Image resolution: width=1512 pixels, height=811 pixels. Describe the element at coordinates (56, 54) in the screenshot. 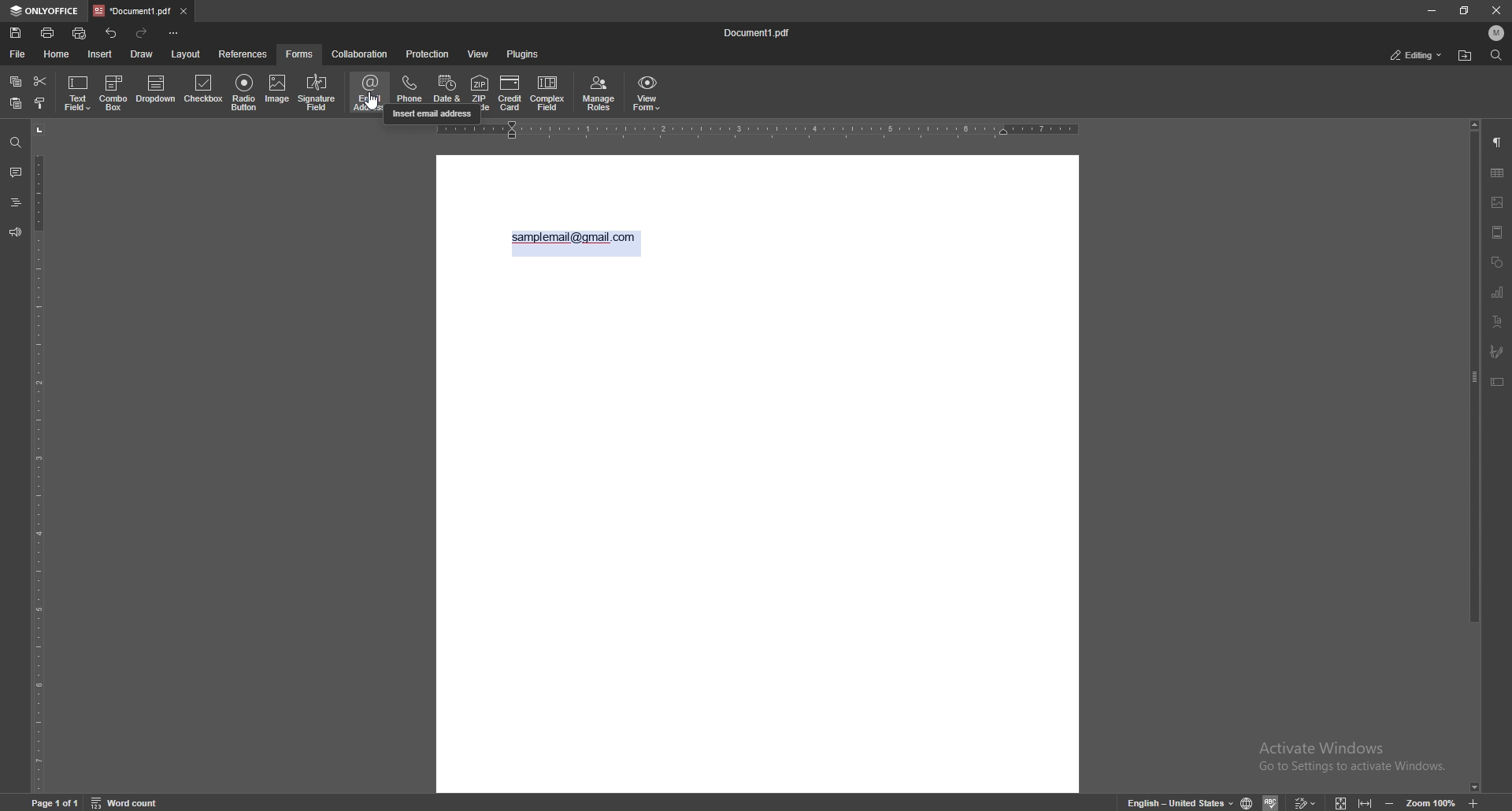

I see `home` at that location.